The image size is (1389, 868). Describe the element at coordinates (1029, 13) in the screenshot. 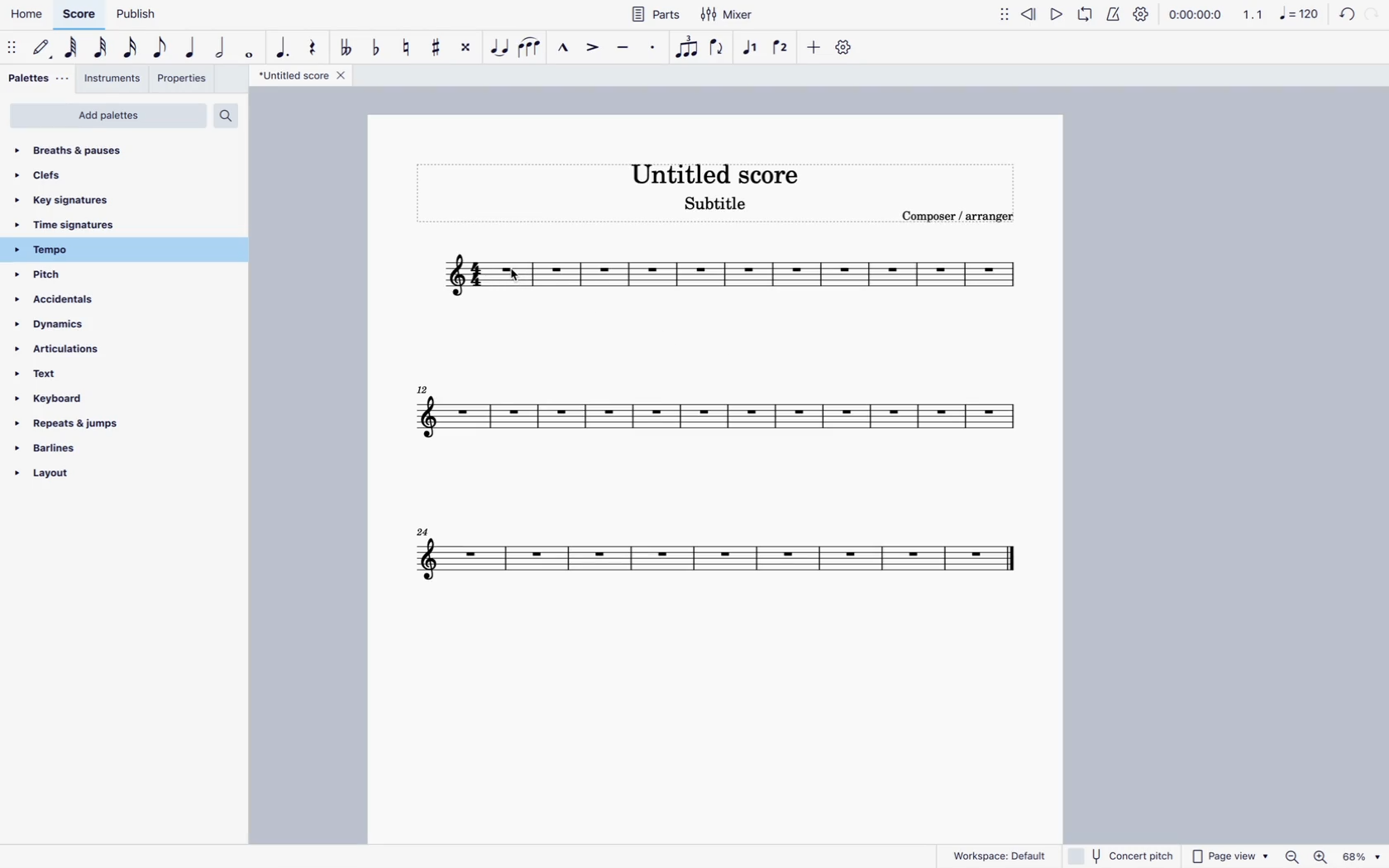

I see `rewind` at that location.